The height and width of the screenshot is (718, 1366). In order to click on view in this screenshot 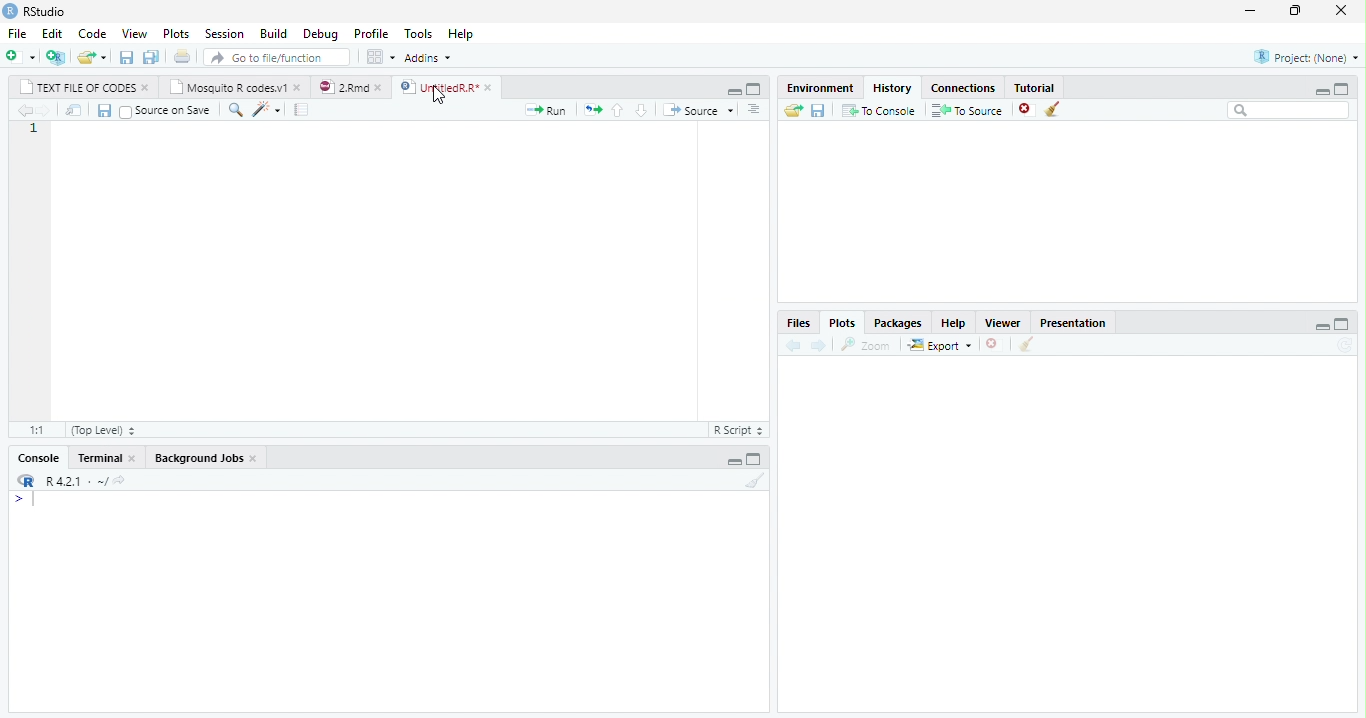, I will do `click(131, 32)`.